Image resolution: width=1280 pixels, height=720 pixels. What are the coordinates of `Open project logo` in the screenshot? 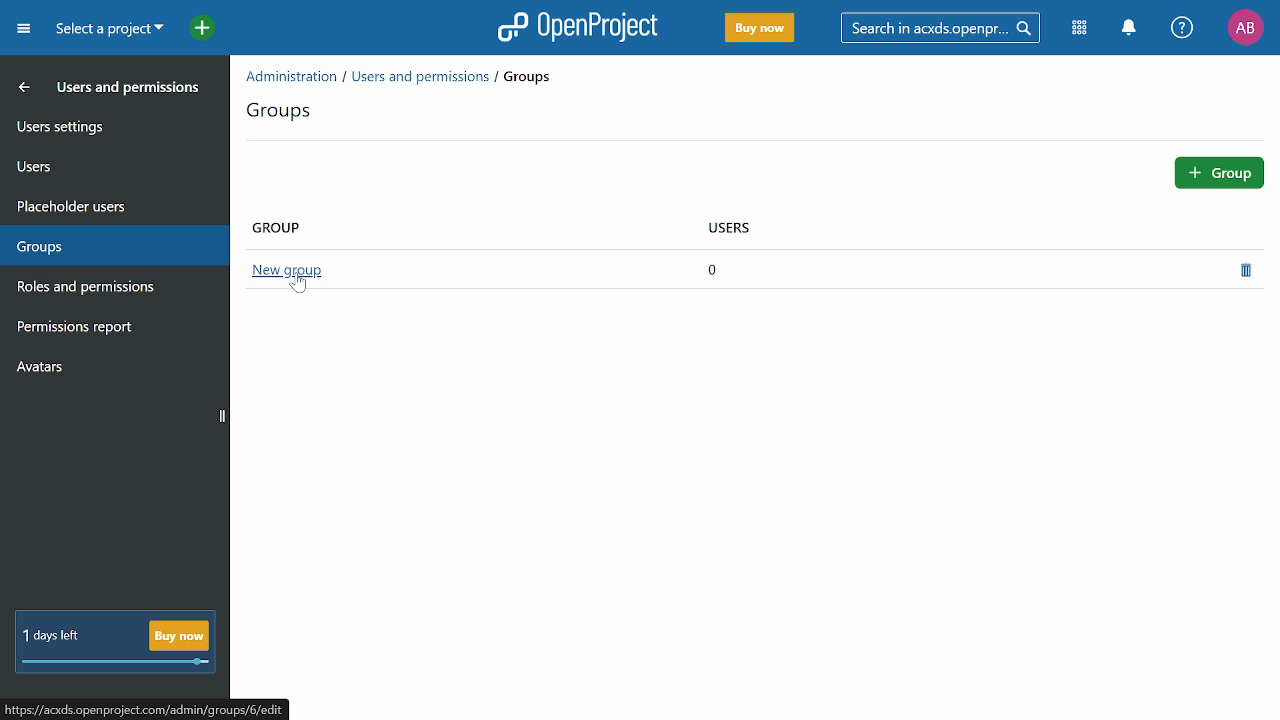 It's located at (578, 27).